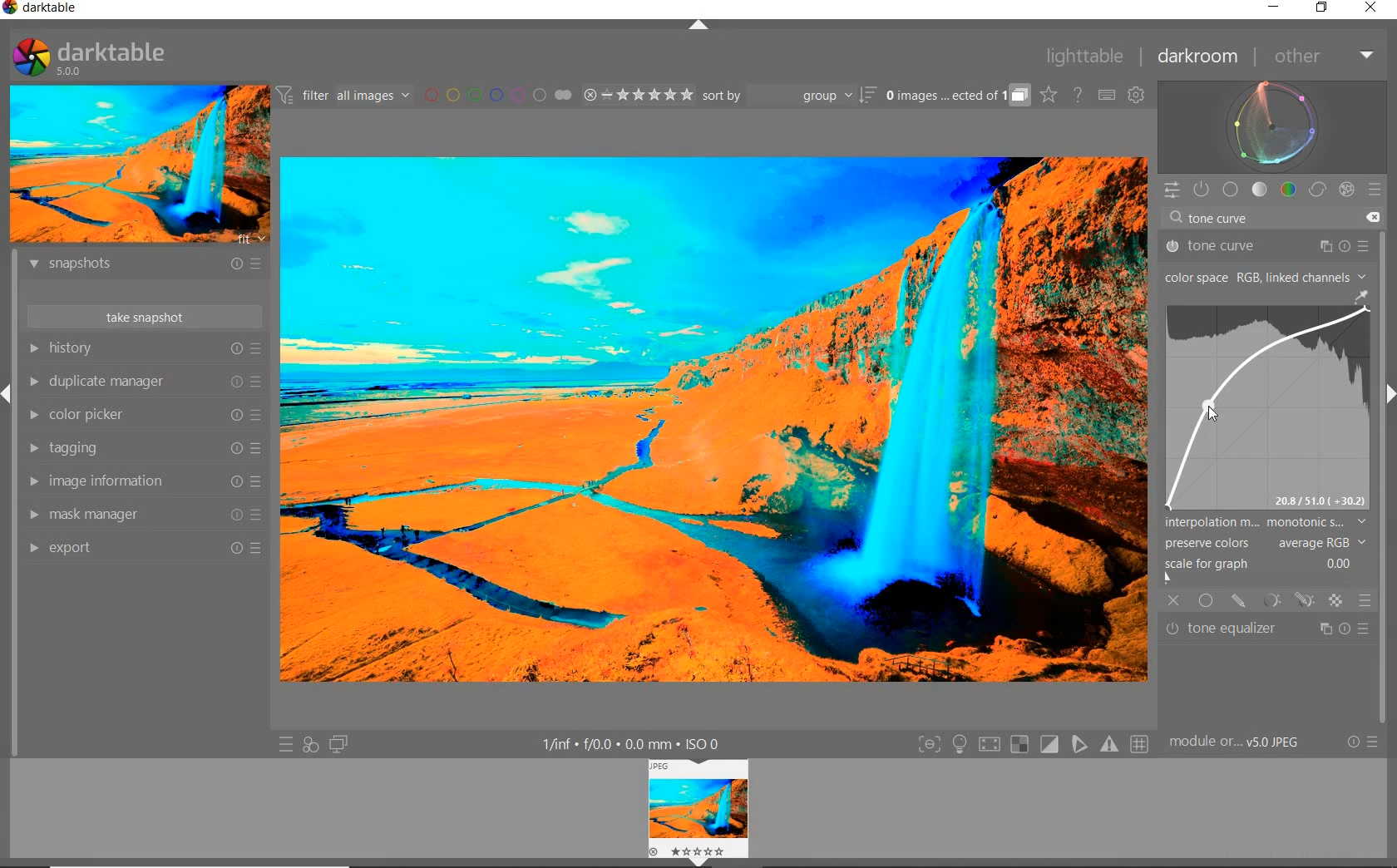  I want to click on COLOR SPACE, so click(1266, 276).